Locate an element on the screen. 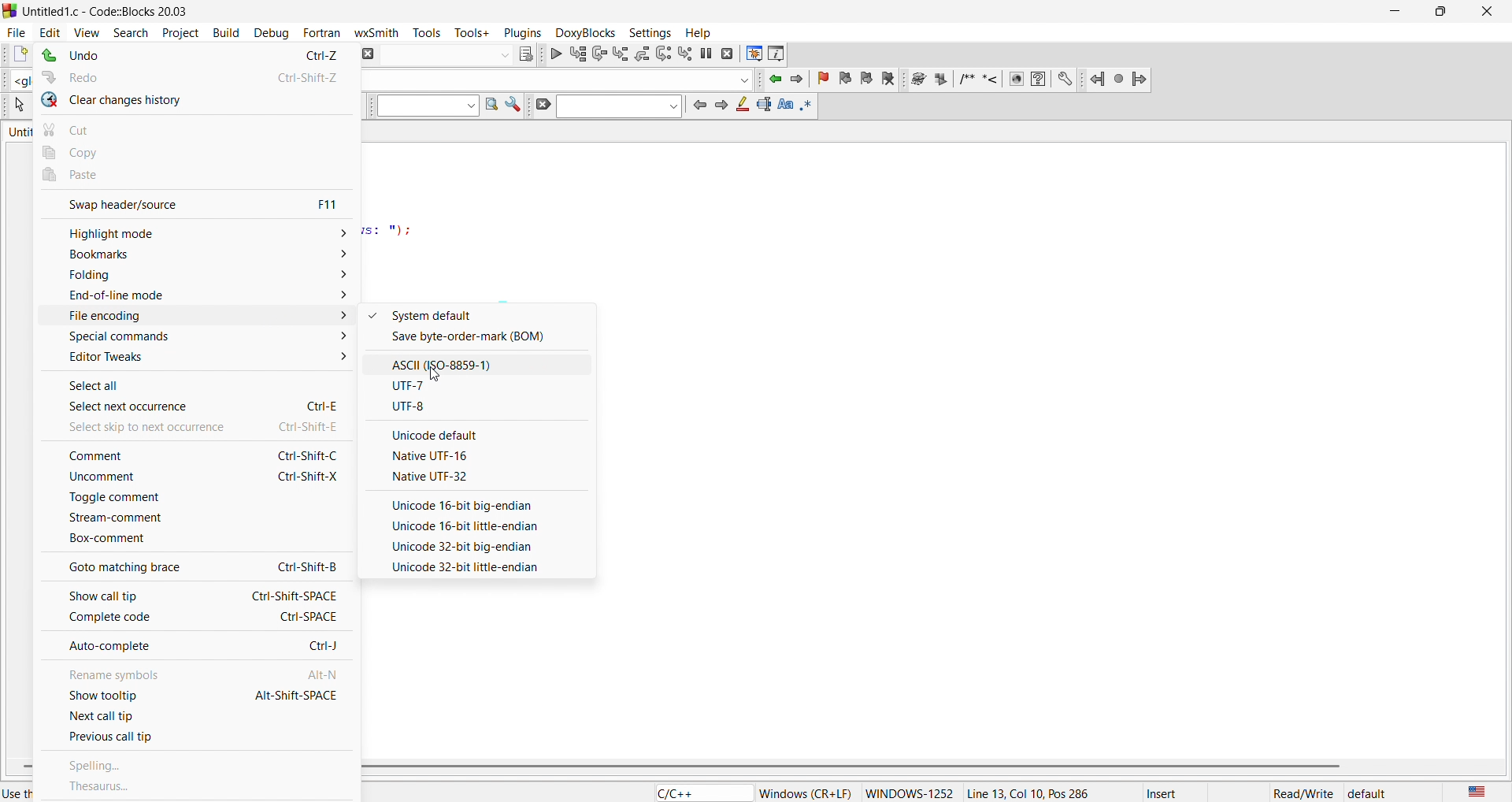 This screenshot has height=802, width=1512. code blocks logo is located at coordinates (9, 12).